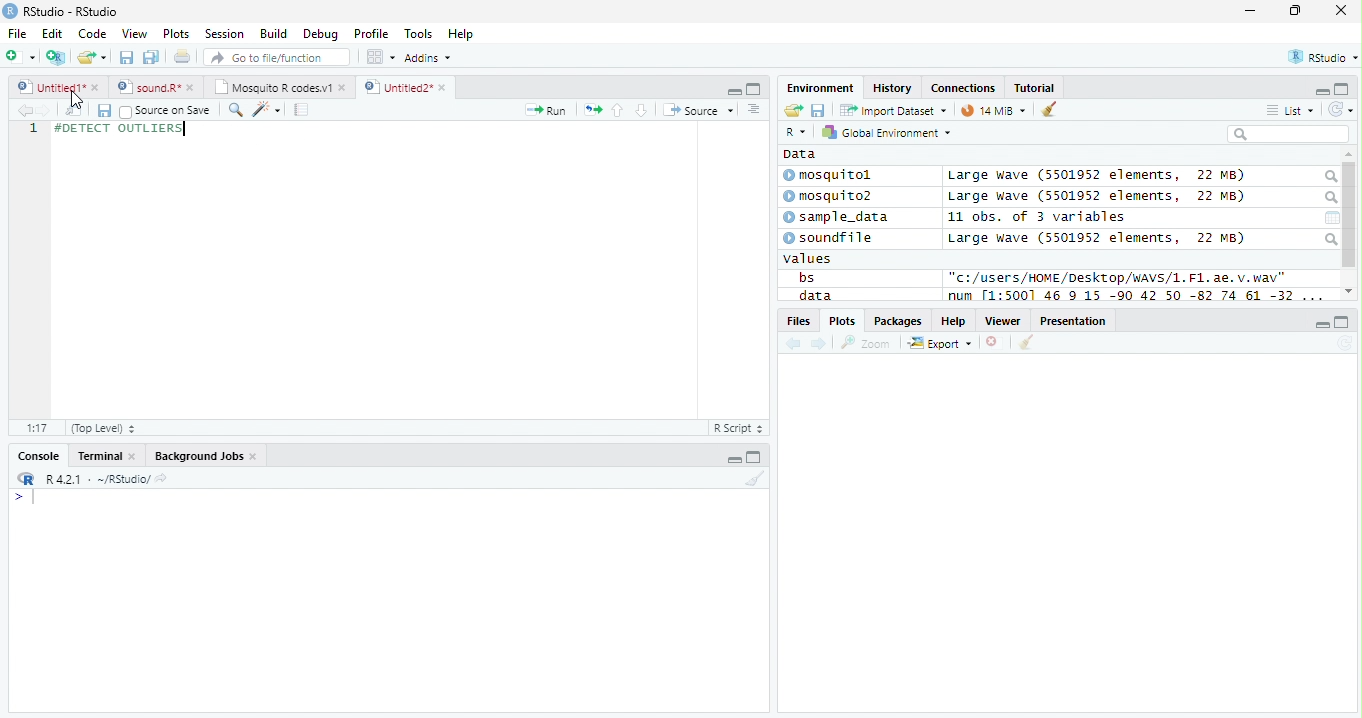  Describe the element at coordinates (98, 481) in the screenshot. I see `R 4.2.1 - ~/RStudio/` at that location.